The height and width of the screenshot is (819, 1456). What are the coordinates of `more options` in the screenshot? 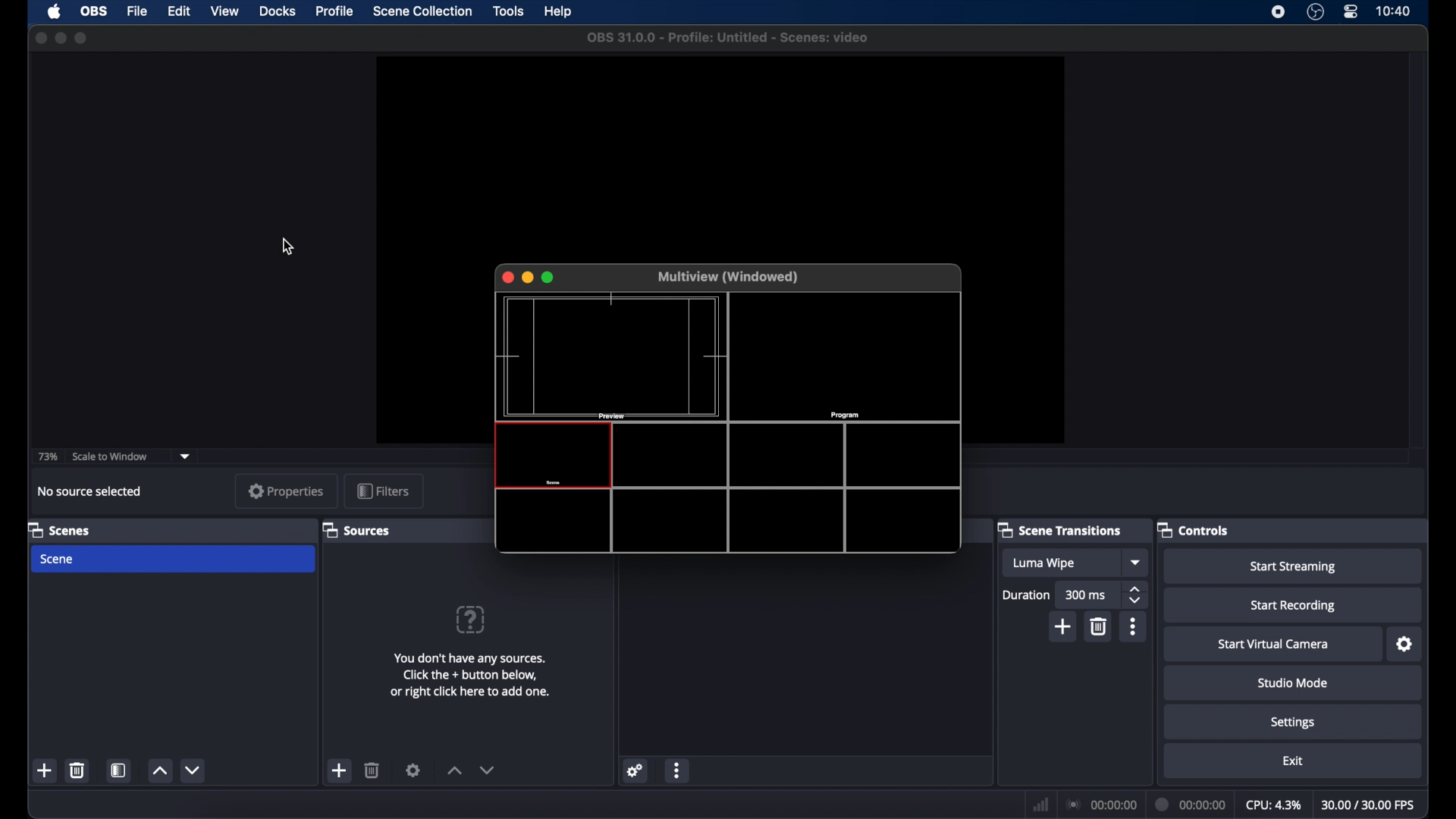 It's located at (678, 770).